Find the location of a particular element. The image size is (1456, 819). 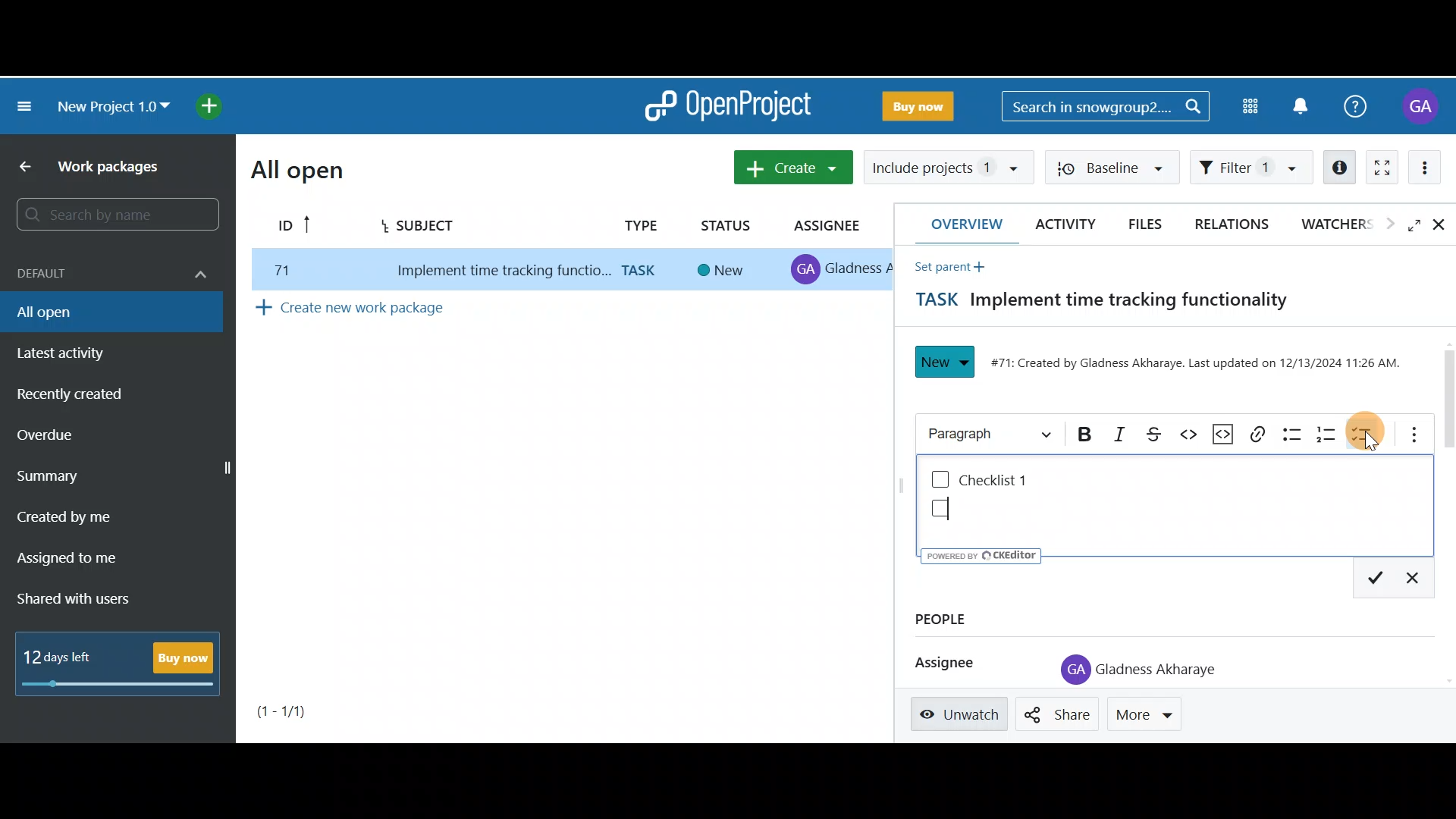

Overdue is located at coordinates (64, 434).